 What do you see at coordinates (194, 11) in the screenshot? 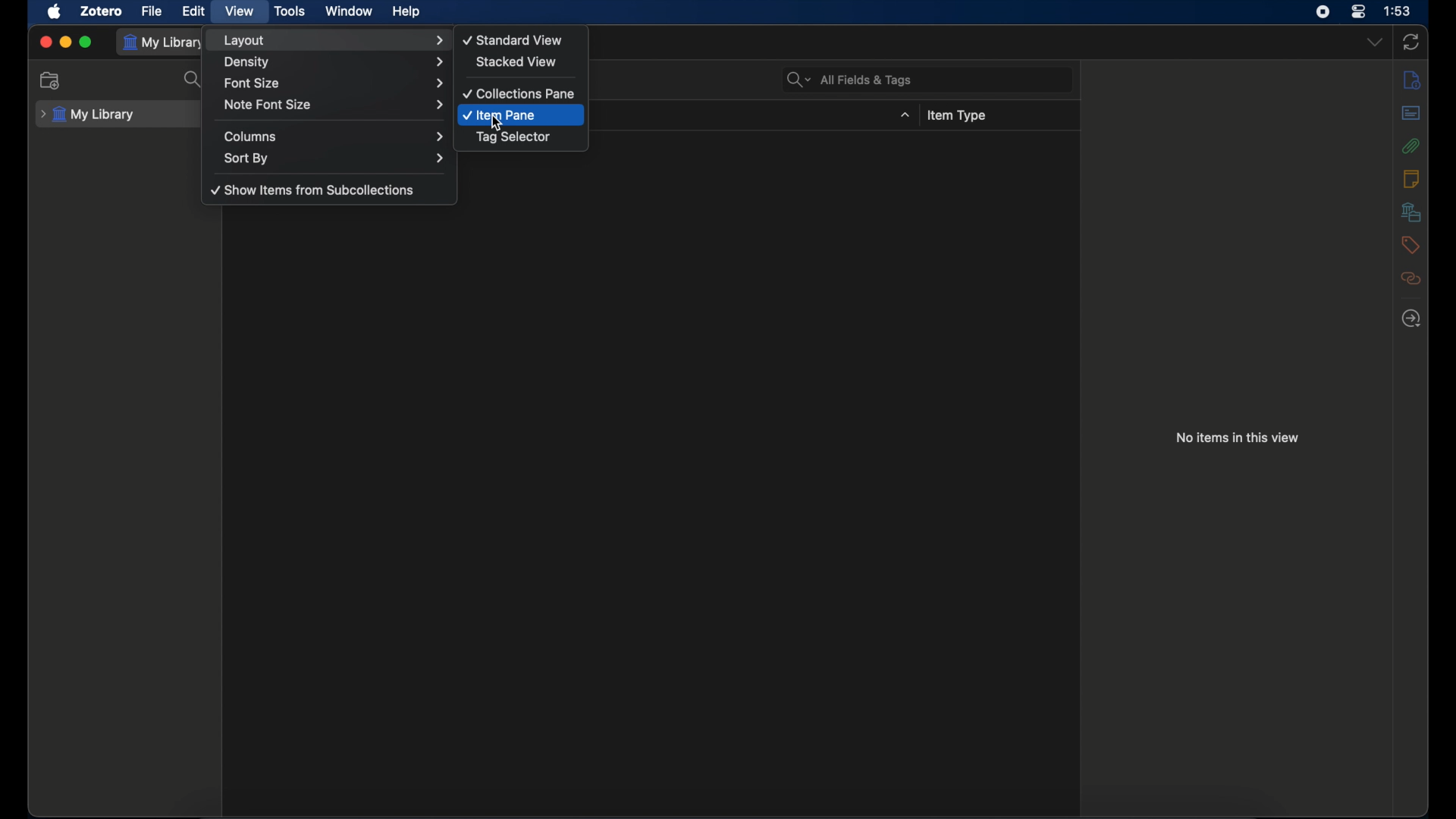
I see `edit` at bounding box center [194, 11].